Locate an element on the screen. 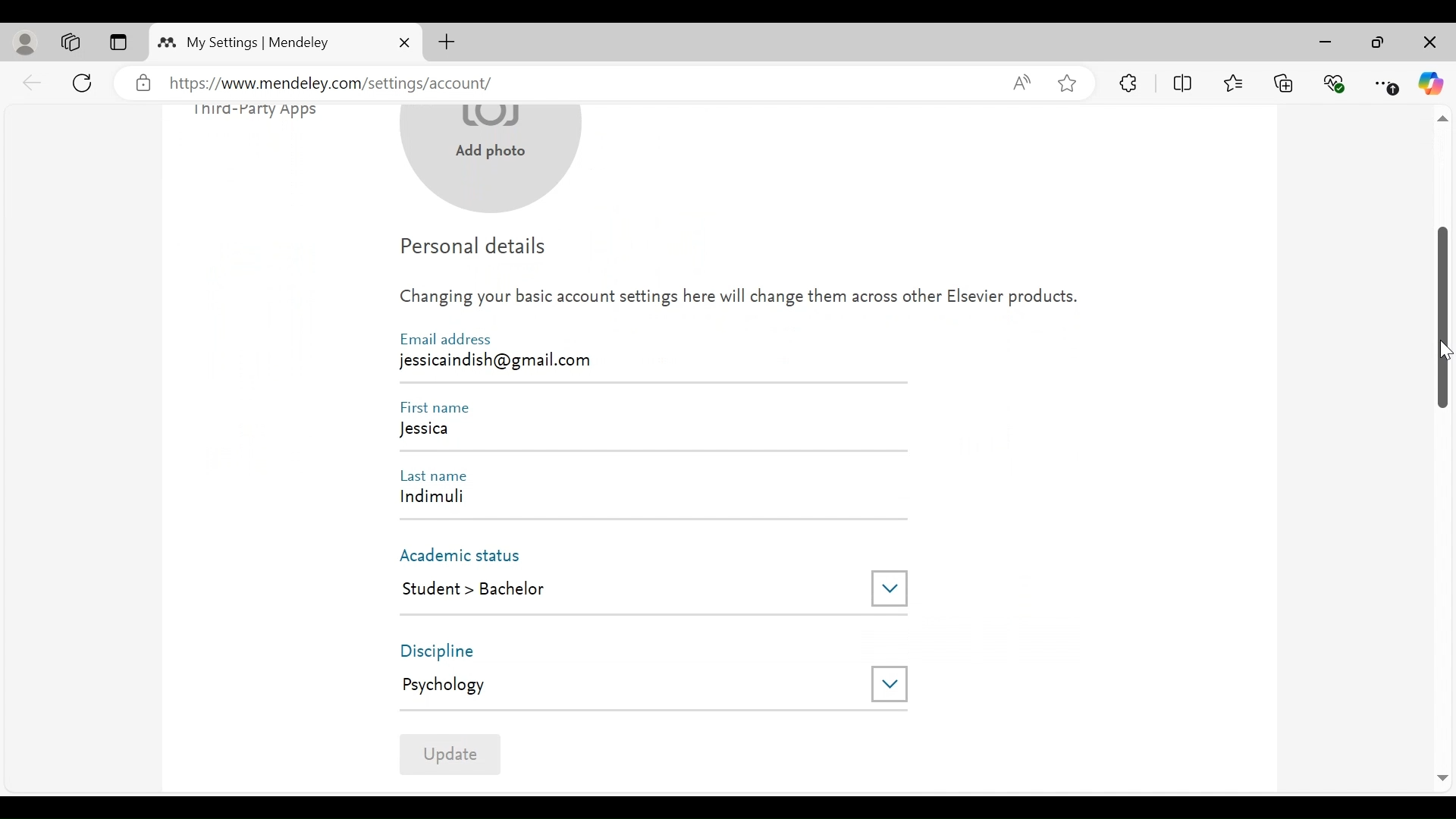 The height and width of the screenshot is (819, 1456). scroll up is located at coordinates (1442, 120).